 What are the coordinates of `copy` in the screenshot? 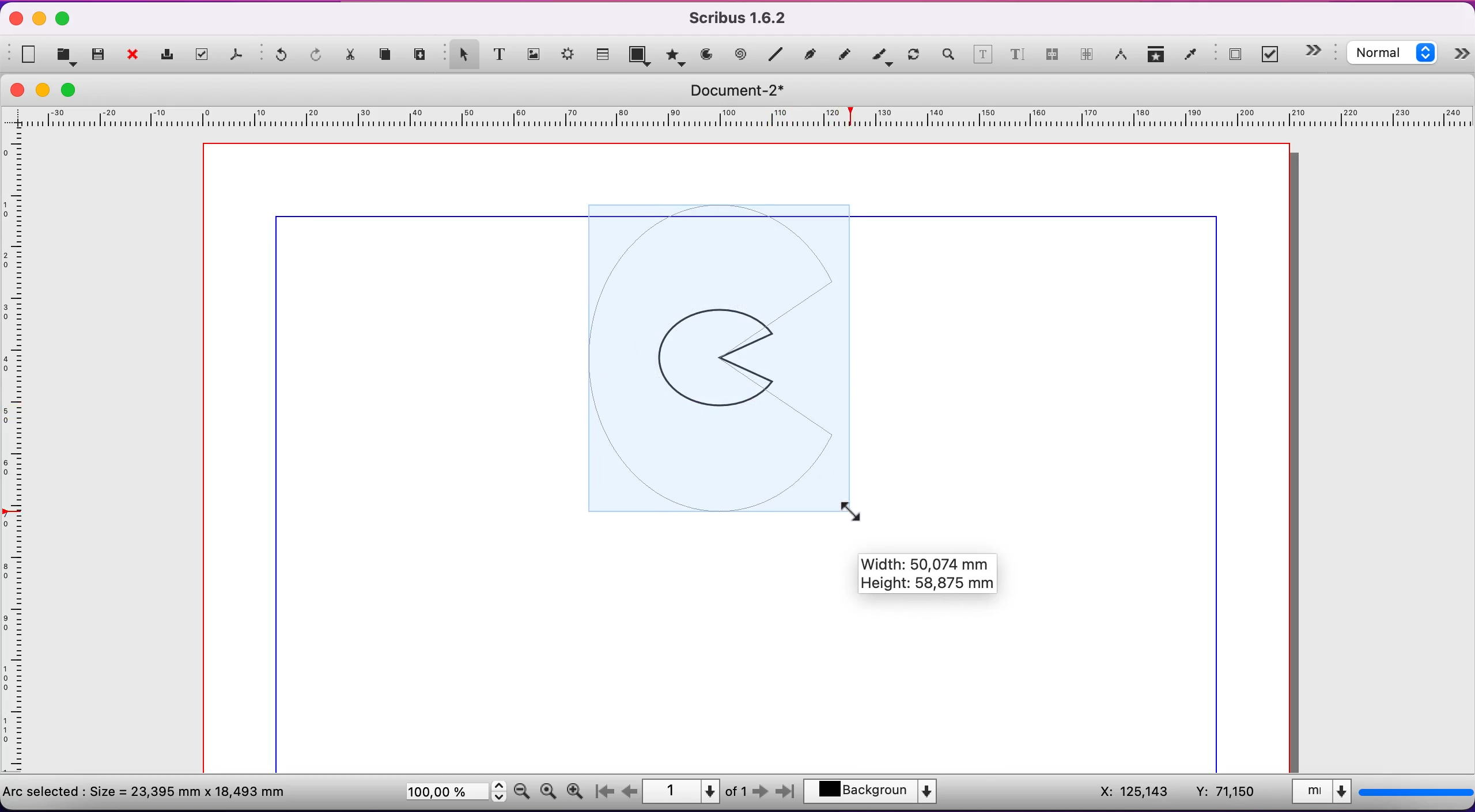 It's located at (388, 56).